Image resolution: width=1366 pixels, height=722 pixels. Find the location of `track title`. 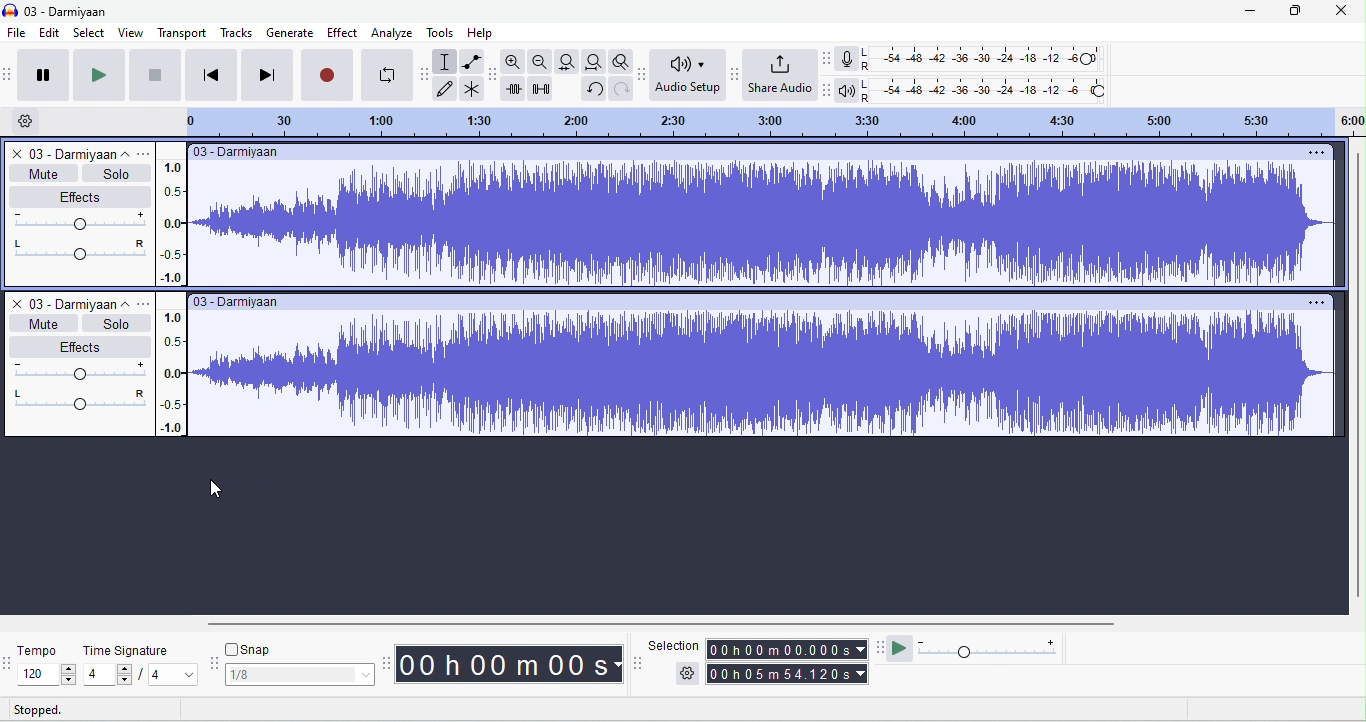

track title is located at coordinates (78, 301).